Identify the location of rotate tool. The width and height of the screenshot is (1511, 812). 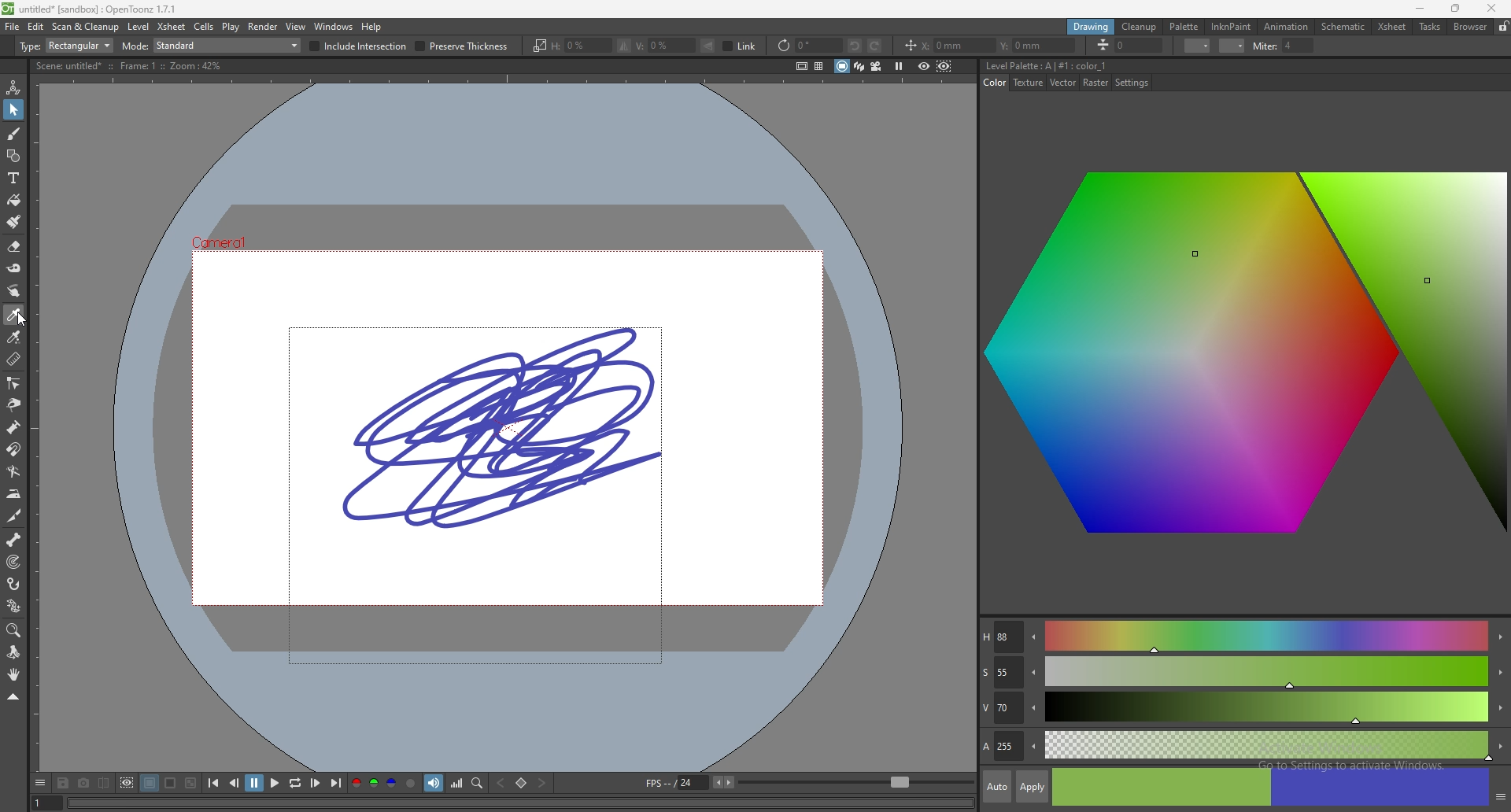
(13, 653).